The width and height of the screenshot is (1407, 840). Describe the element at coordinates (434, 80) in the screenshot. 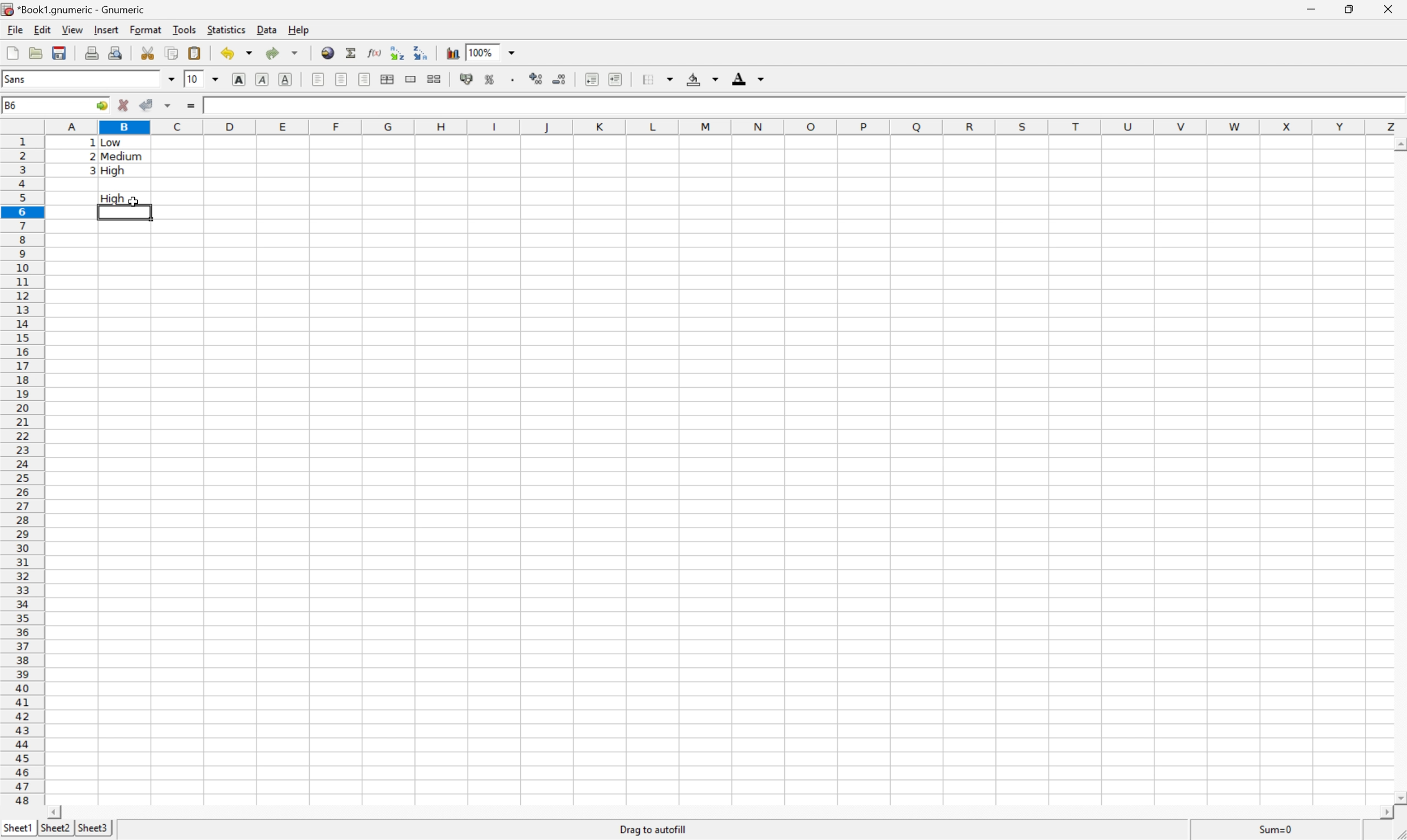

I see `Split the ranges of merged cells` at that location.